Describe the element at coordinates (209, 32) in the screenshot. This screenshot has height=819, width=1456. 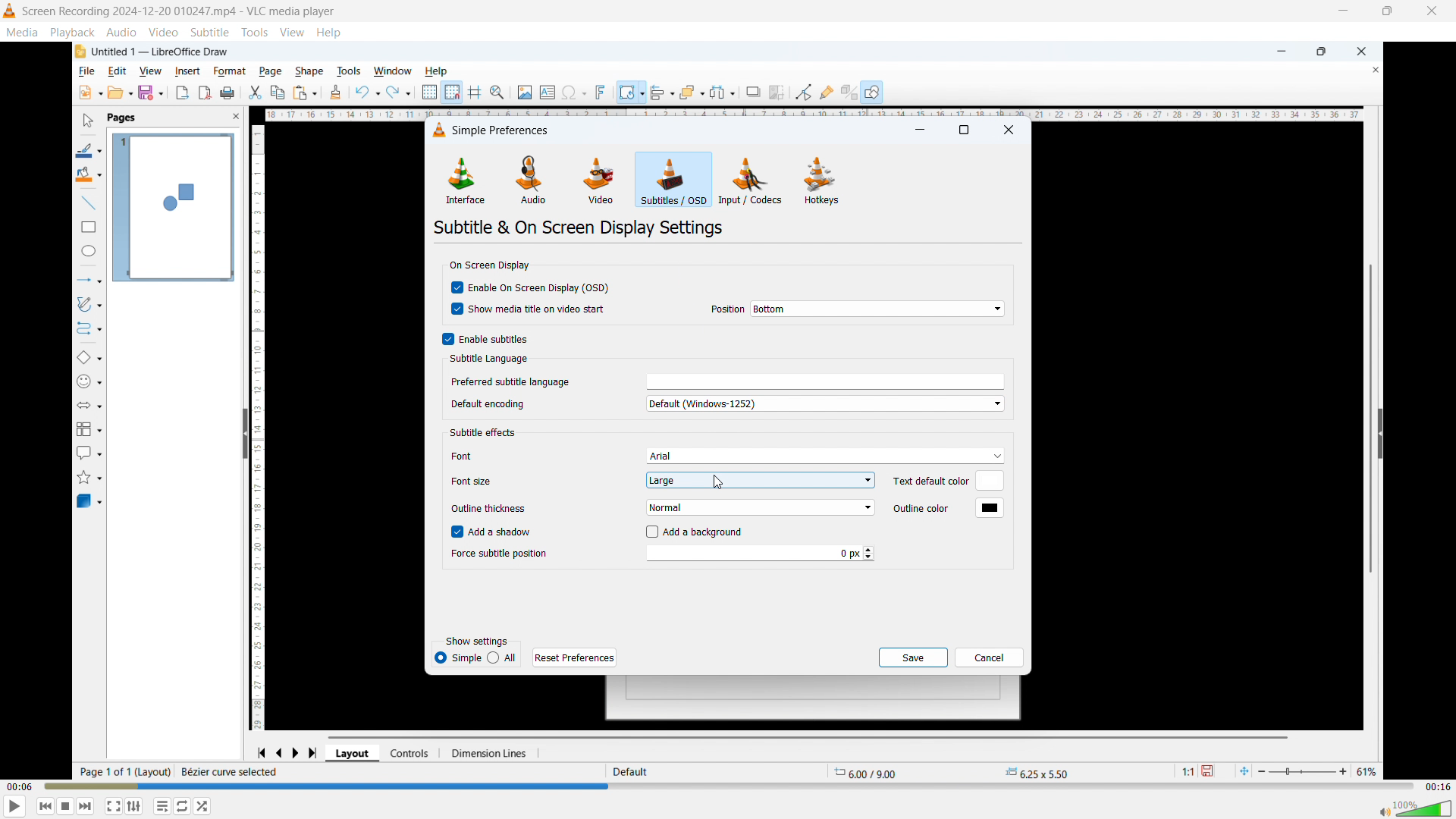
I see `Subtitle ` at that location.